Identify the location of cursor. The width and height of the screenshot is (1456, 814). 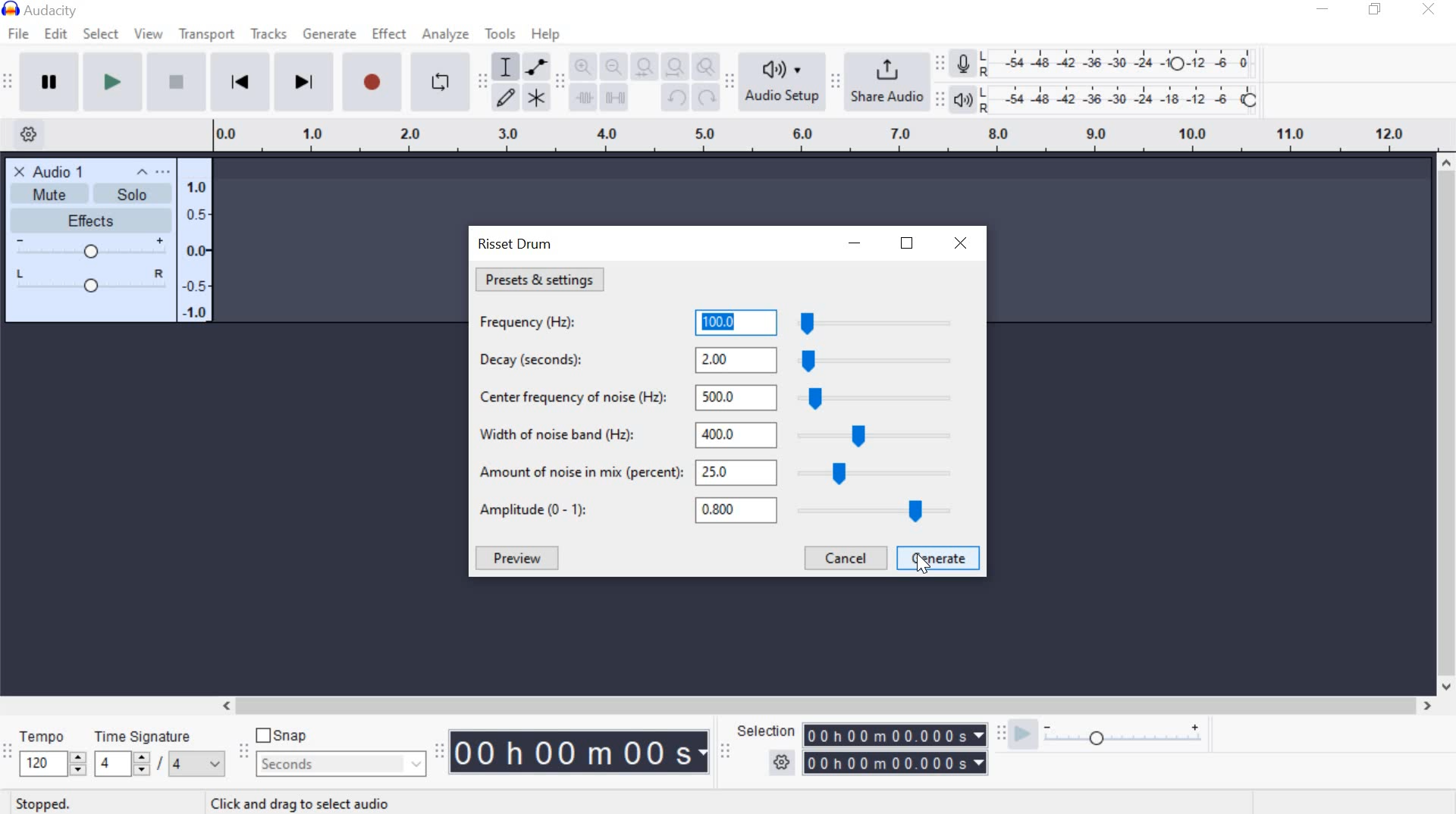
(925, 567).